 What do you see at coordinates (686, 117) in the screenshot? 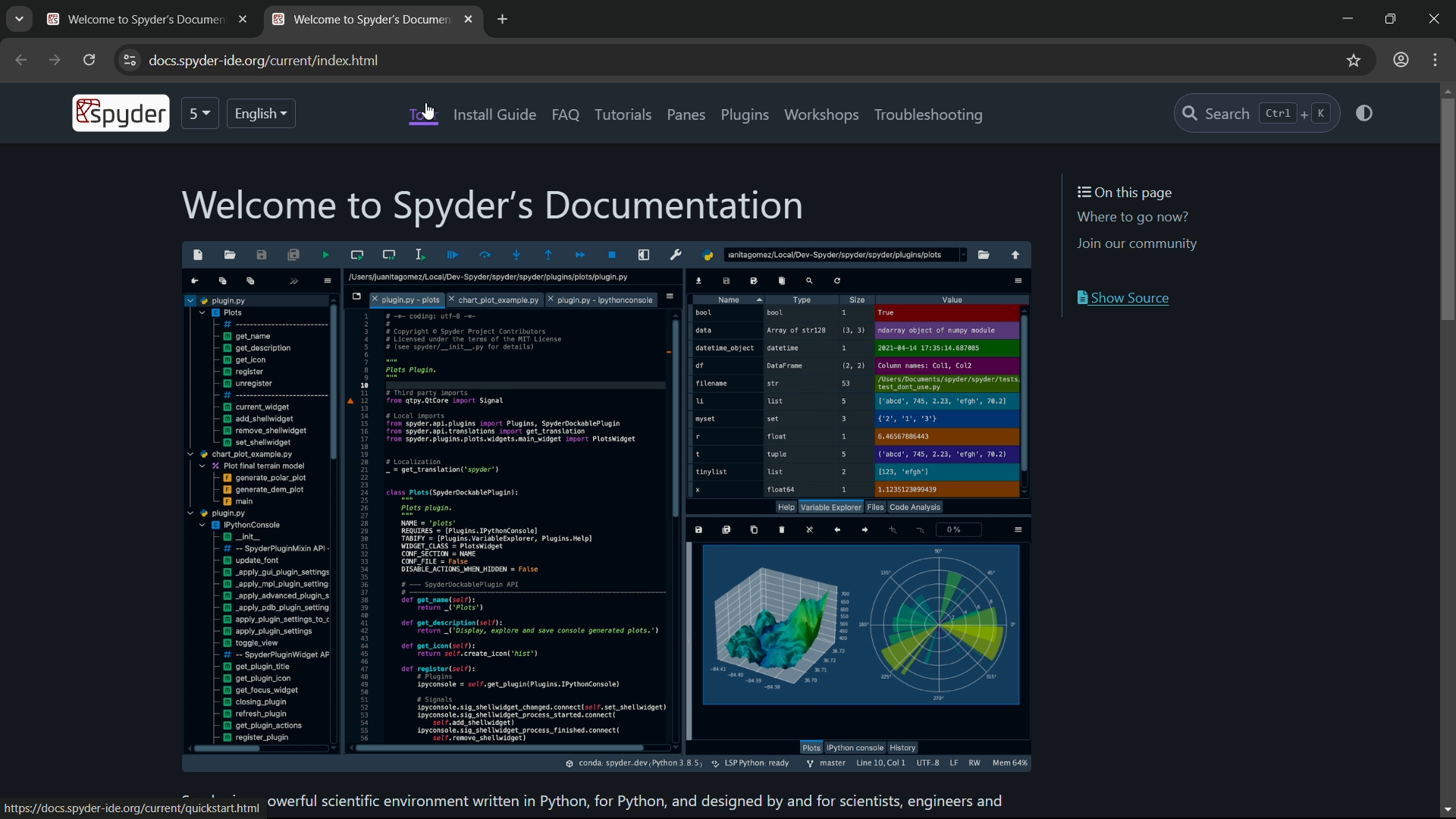
I see `panes` at bounding box center [686, 117].